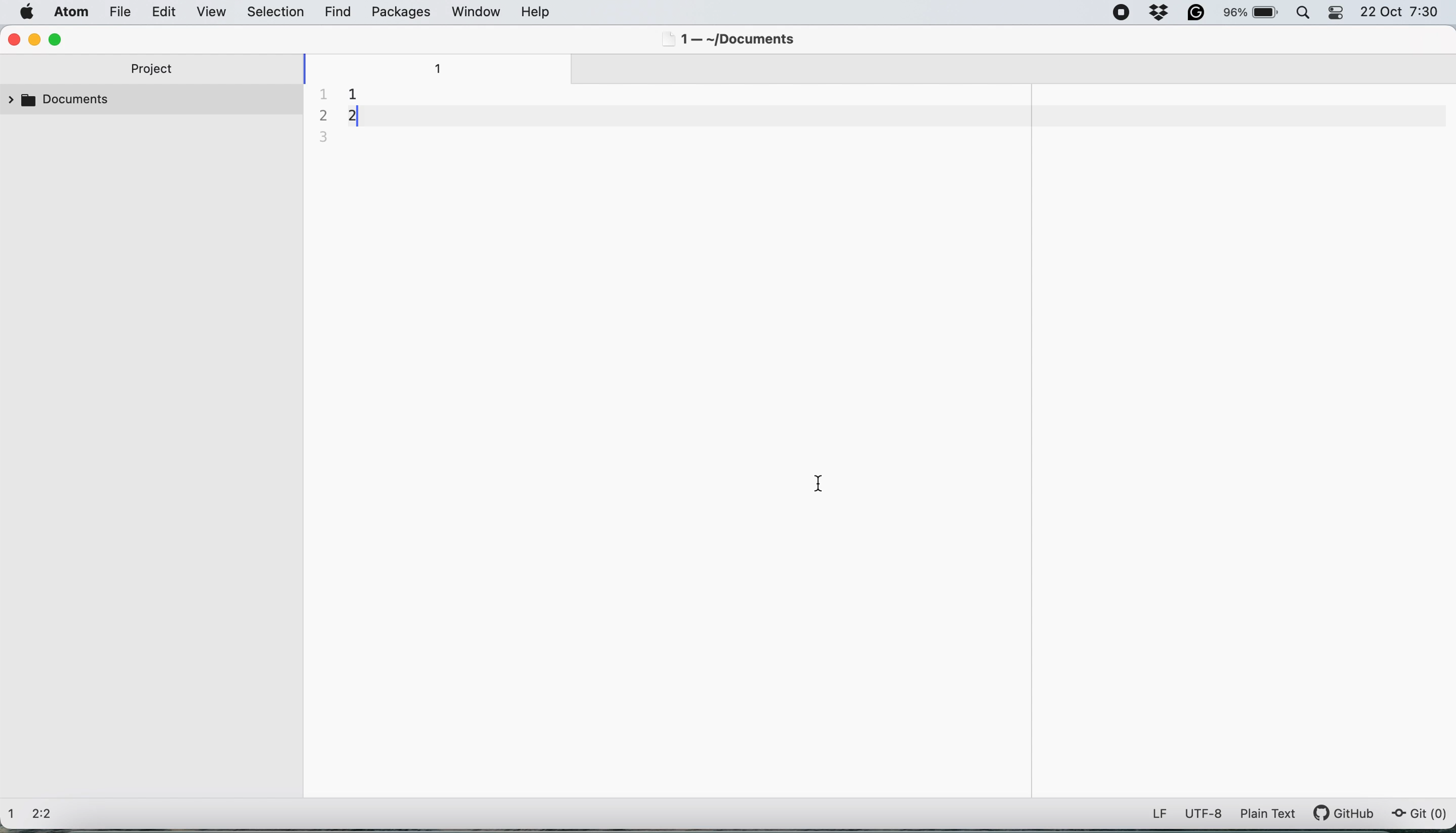 This screenshot has height=833, width=1456. I want to click on 22 Oct 7:30, so click(1400, 12).